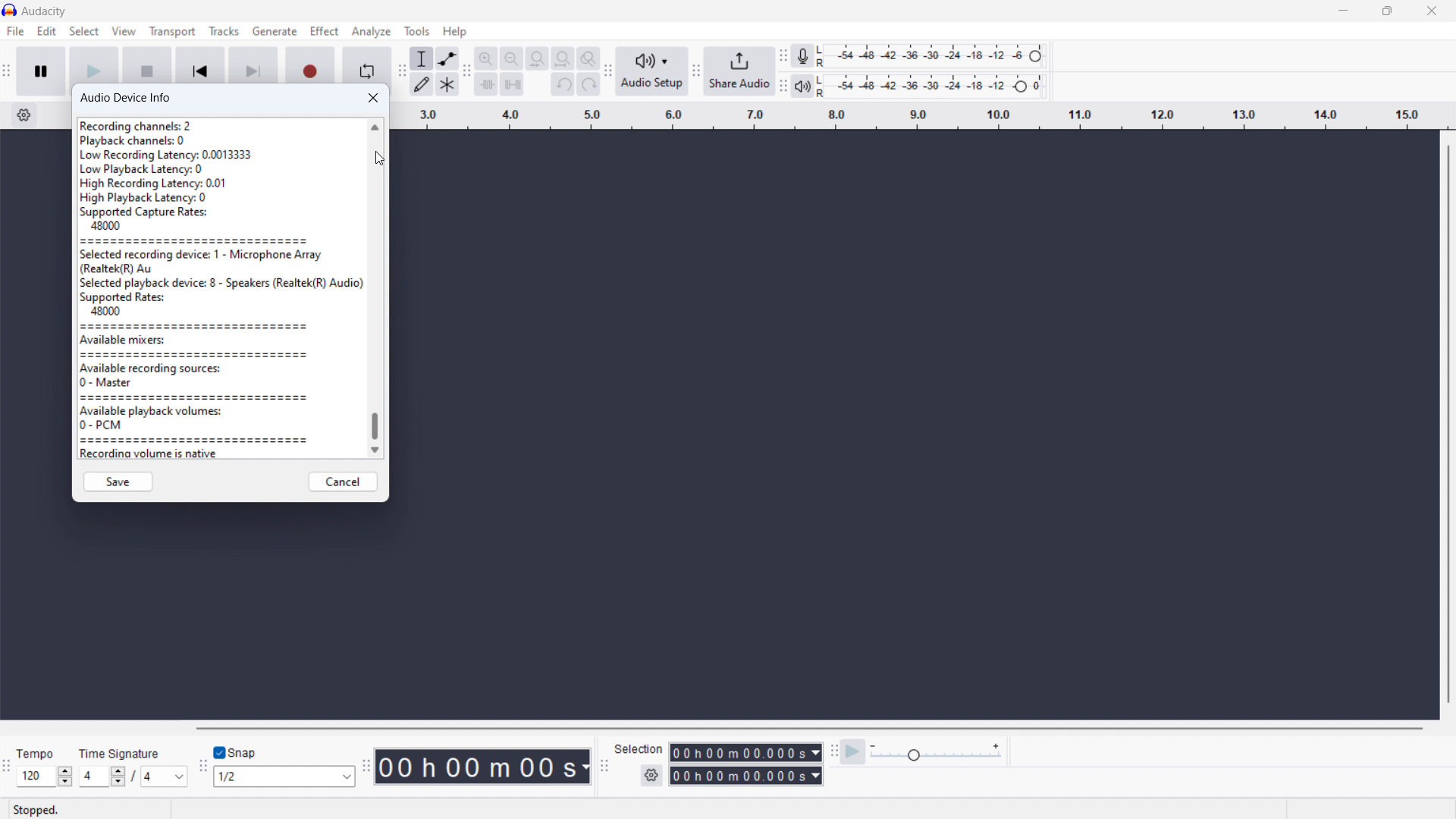 Image resolution: width=1456 pixels, height=819 pixels. Describe the element at coordinates (487, 58) in the screenshot. I see `zoom in` at that location.